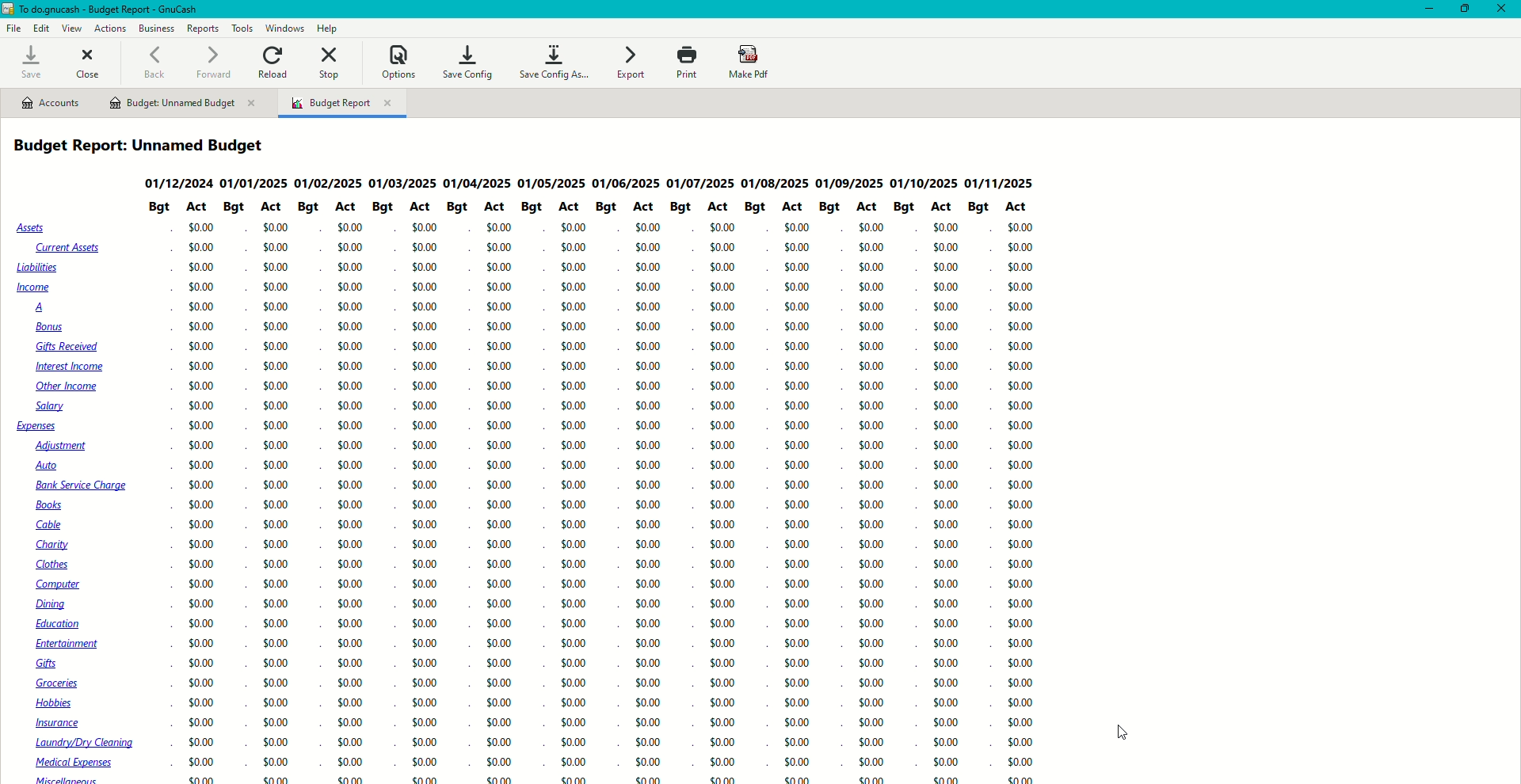 Image resolution: width=1521 pixels, height=784 pixels. What do you see at coordinates (342, 105) in the screenshot?
I see `Budget Report` at bounding box center [342, 105].